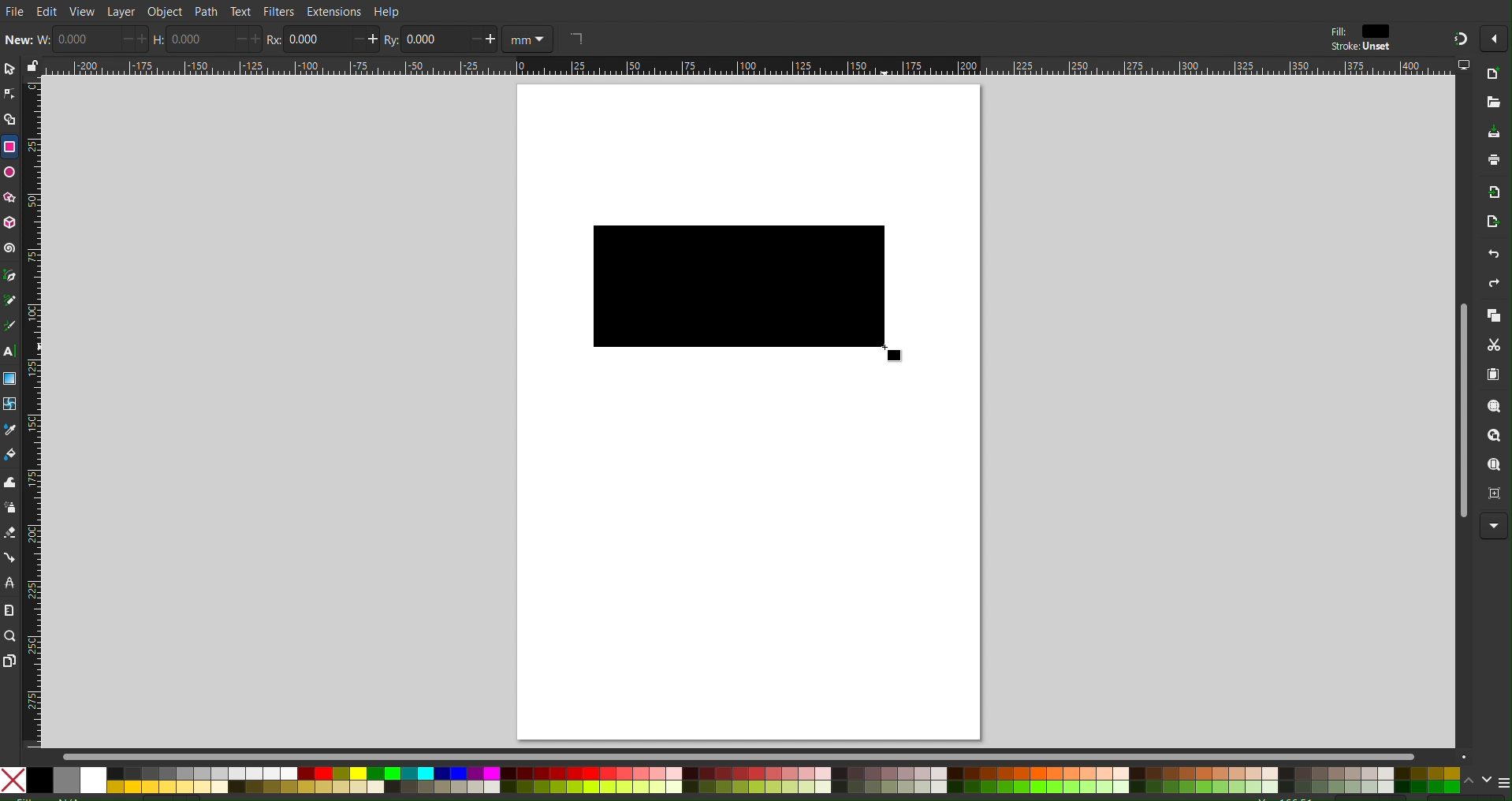  Describe the element at coordinates (9, 196) in the screenshot. I see `Polygon` at that location.